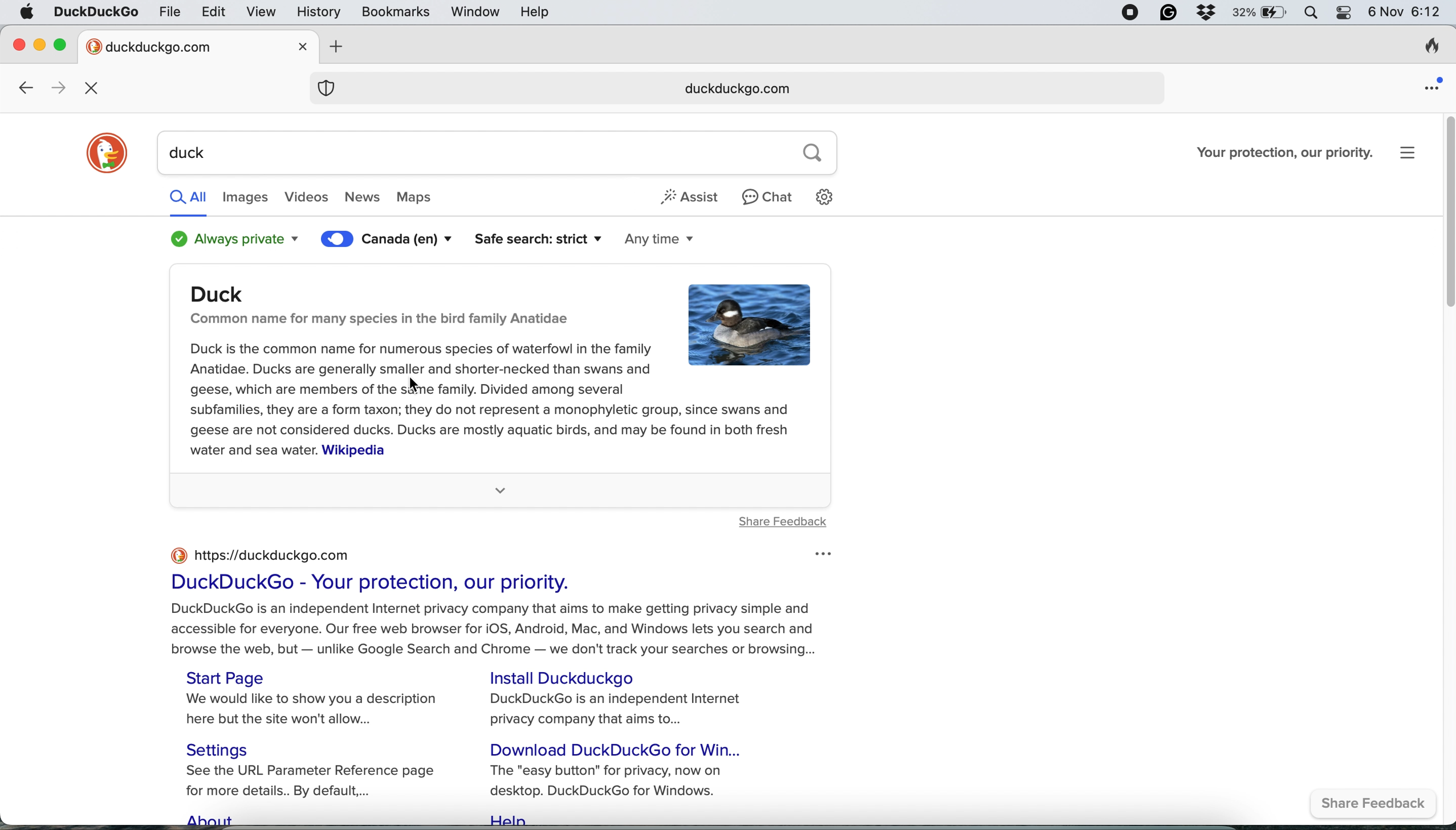 This screenshot has height=830, width=1456. I want to click on maps, so click(425, 198).